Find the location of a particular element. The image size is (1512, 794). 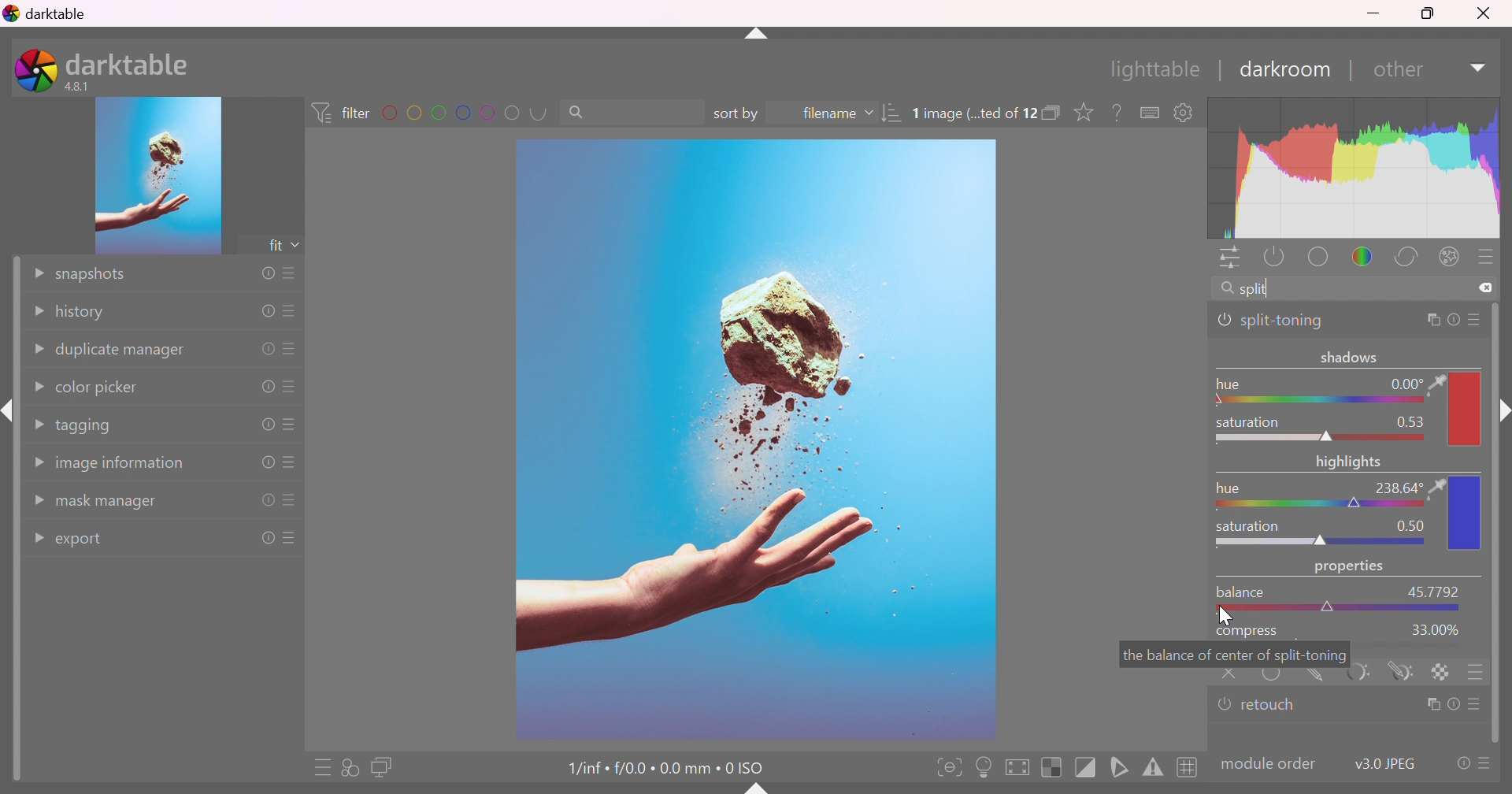

multiple instance actions is located at coordinates (1434, 705).